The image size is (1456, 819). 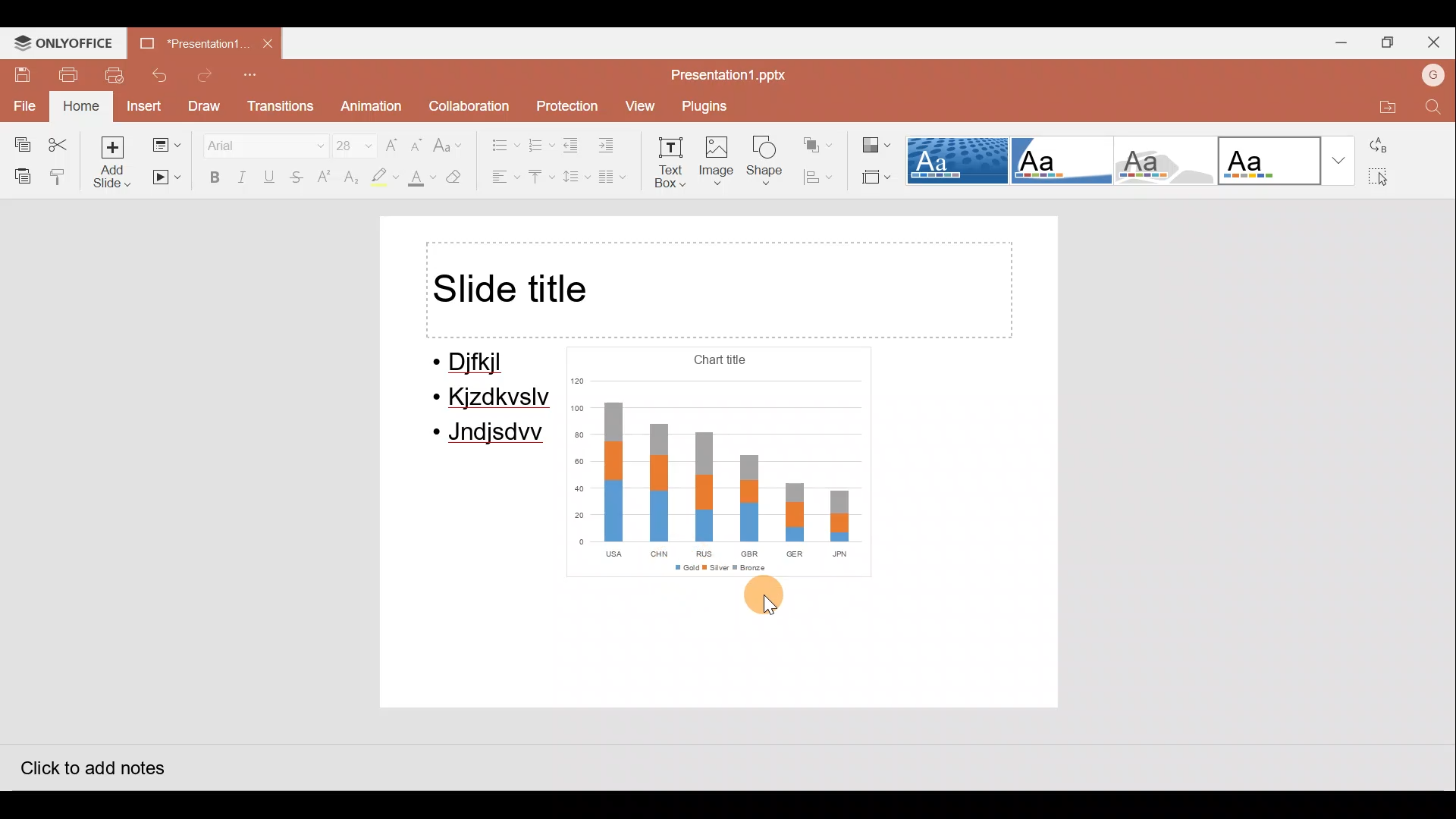 What do you see at coordinates (382, 178) in the screenshot?
I see `Highlight color` at bounding box center [382, 178].